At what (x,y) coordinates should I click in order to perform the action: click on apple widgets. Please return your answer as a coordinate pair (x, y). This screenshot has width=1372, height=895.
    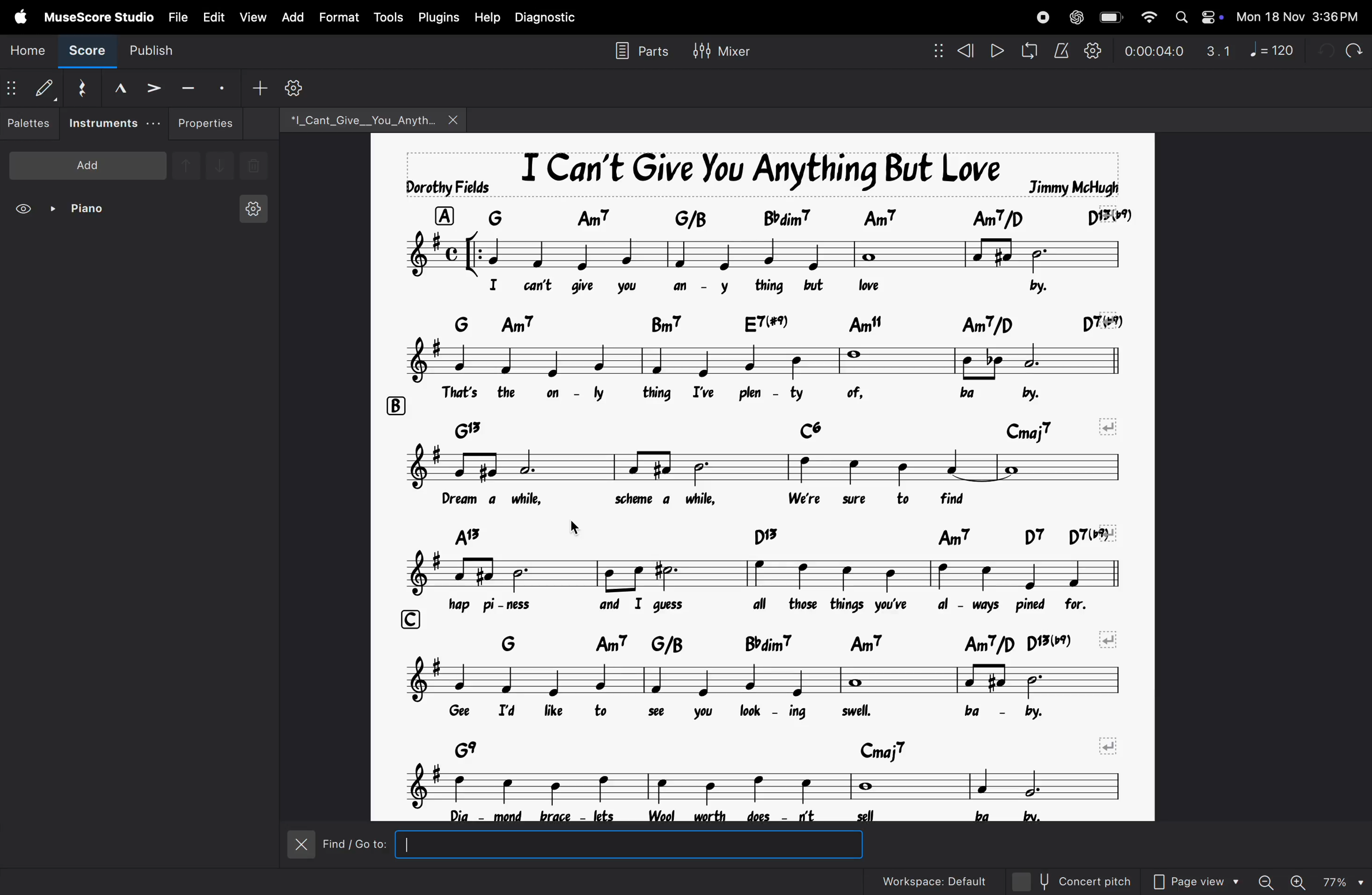
    Looking at the image, I should click on (1196, 17).